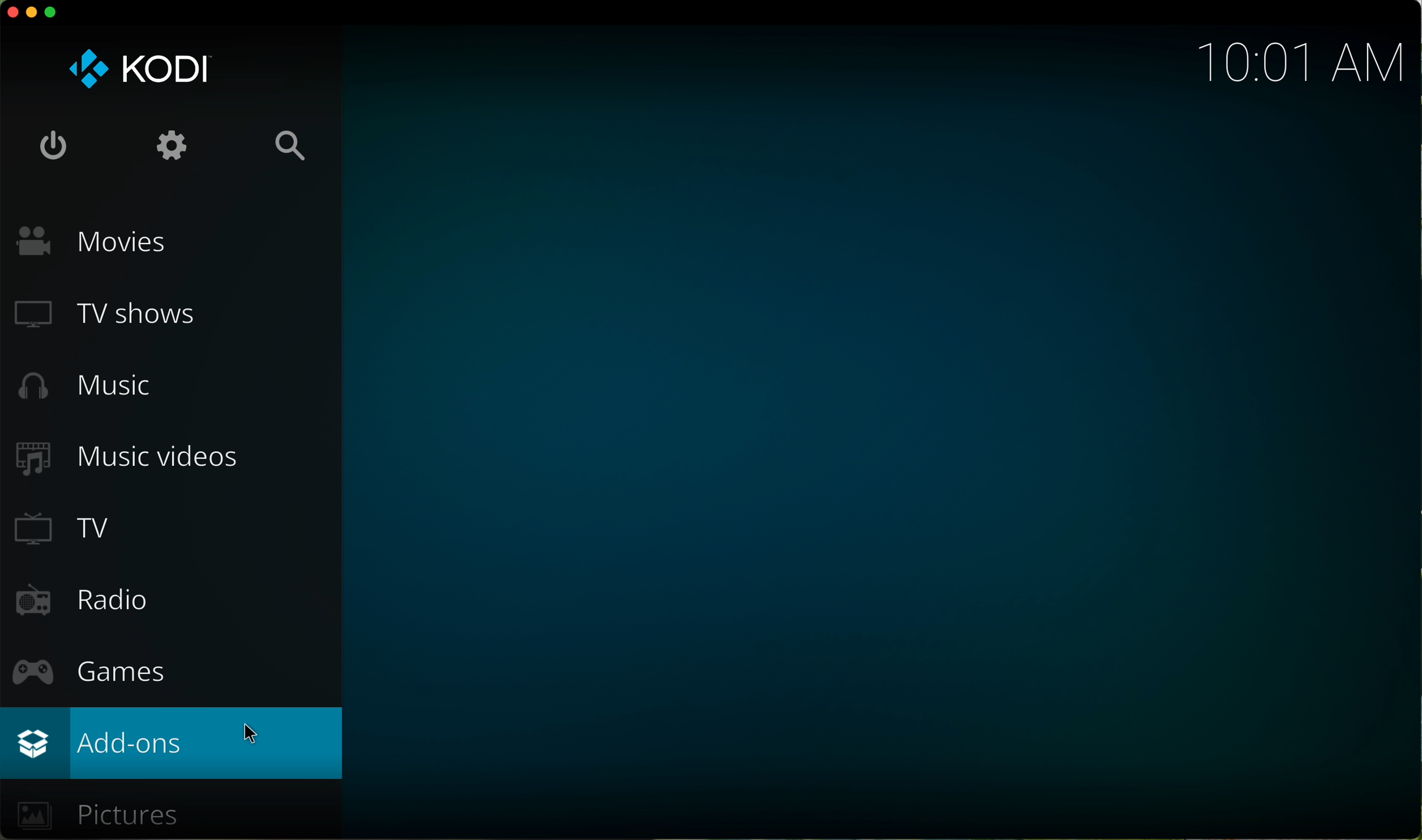 The image size is (1422, 840). I want to click on maximize, so click(52, 14).